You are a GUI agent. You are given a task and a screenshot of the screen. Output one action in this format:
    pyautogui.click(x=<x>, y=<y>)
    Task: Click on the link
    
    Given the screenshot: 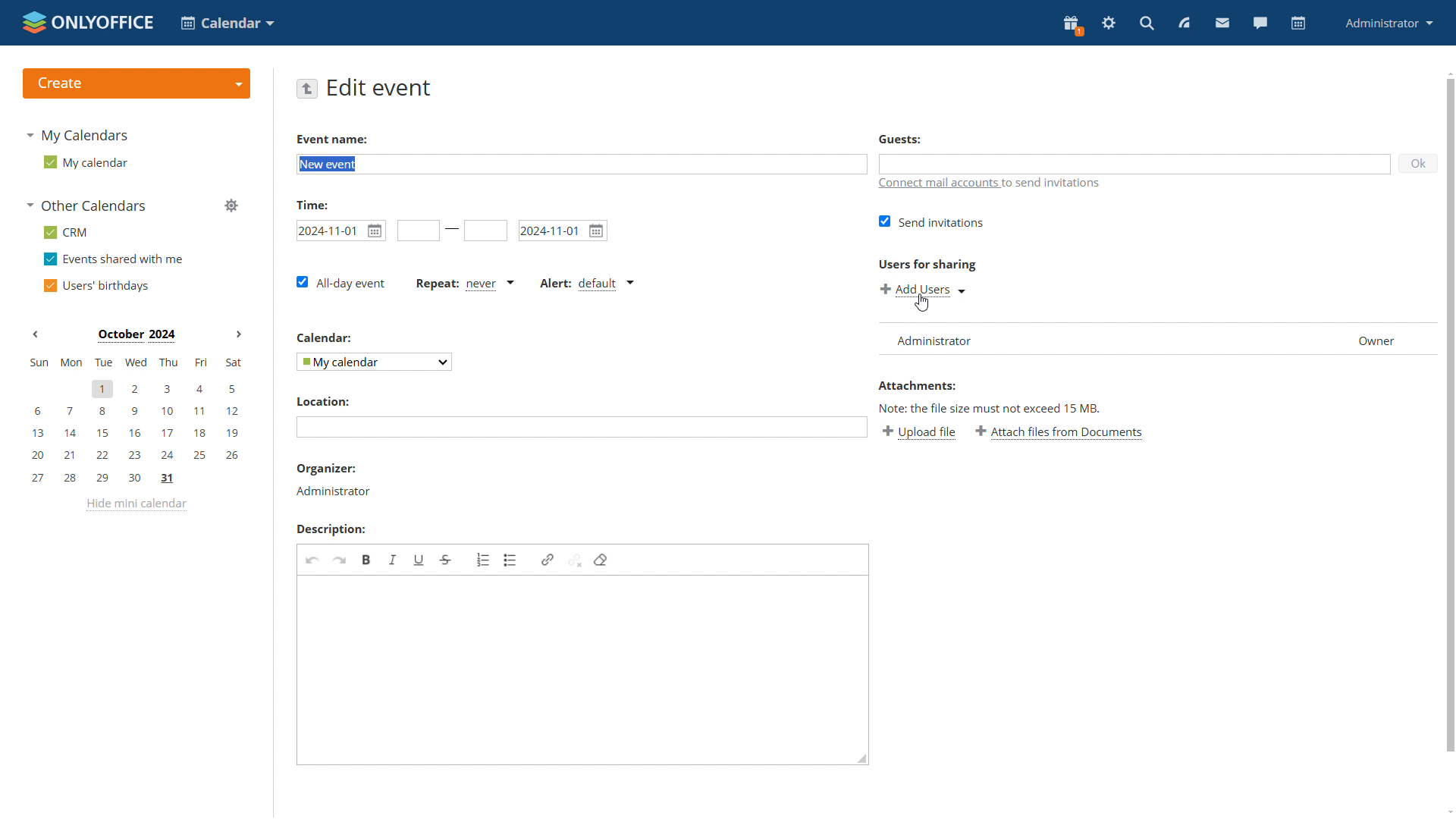 What is the action you would take?
    pyautogui.click(x=548, y=560)
    